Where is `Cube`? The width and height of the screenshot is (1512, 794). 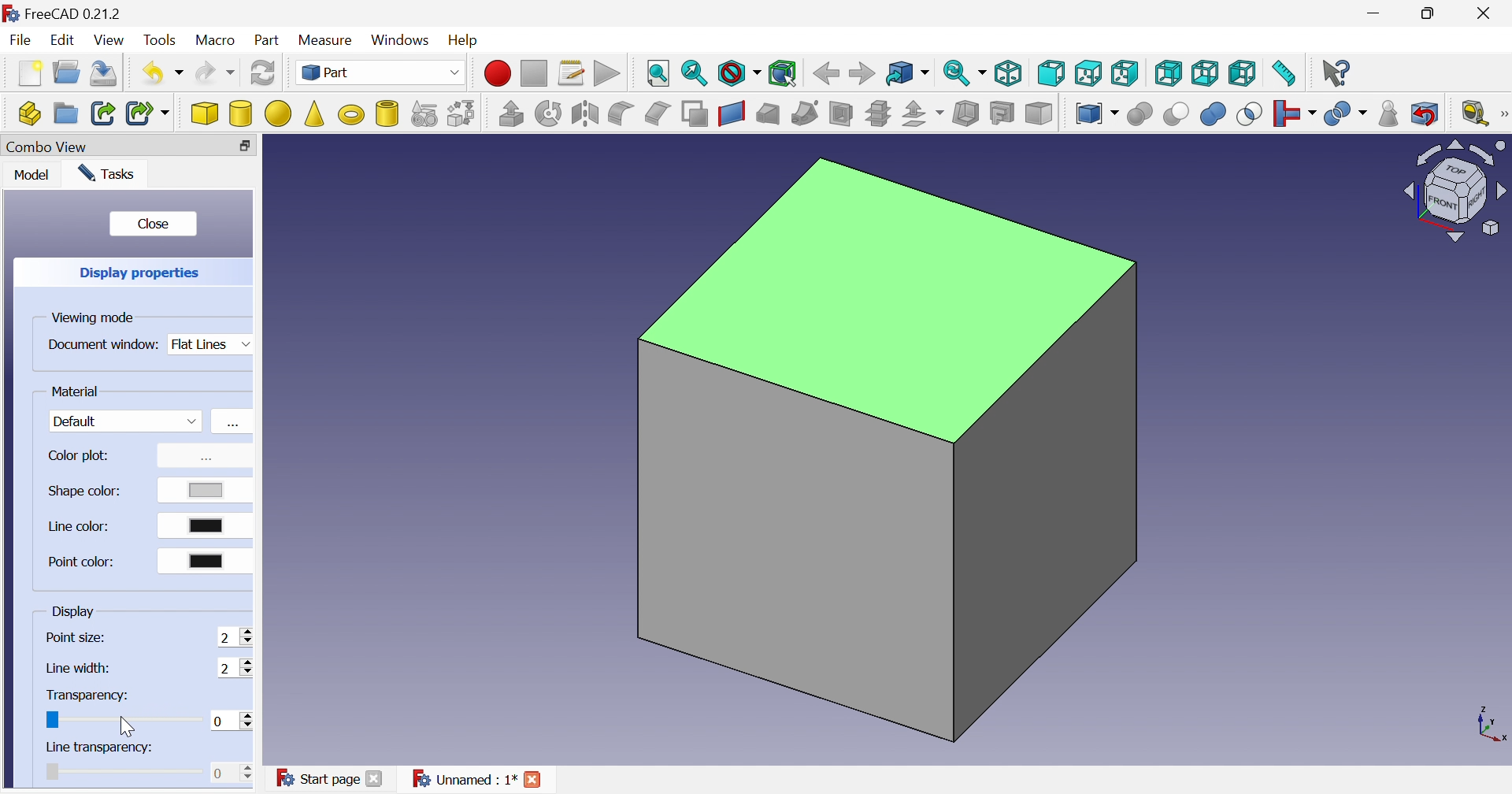 Cube is located at coordinates (866, 452).